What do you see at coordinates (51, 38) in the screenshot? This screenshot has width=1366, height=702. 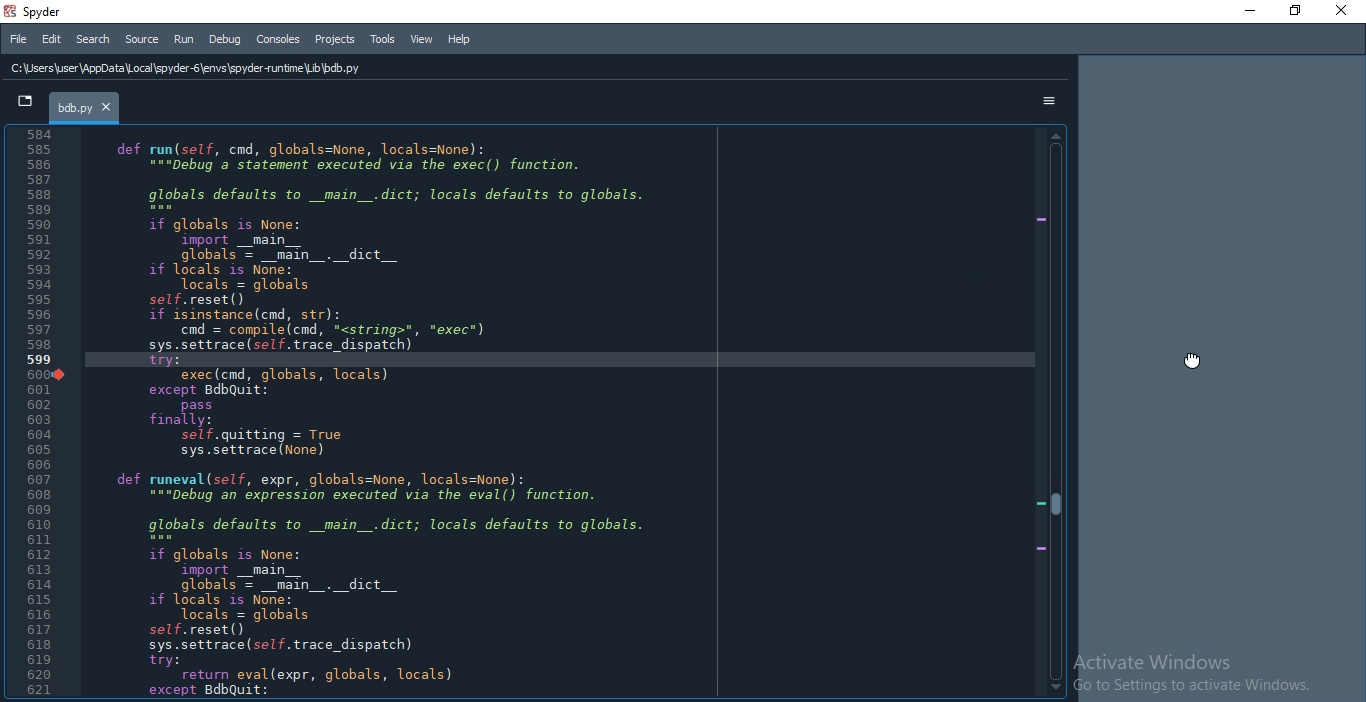 I see `Edit` at bounding box center [51, 38].